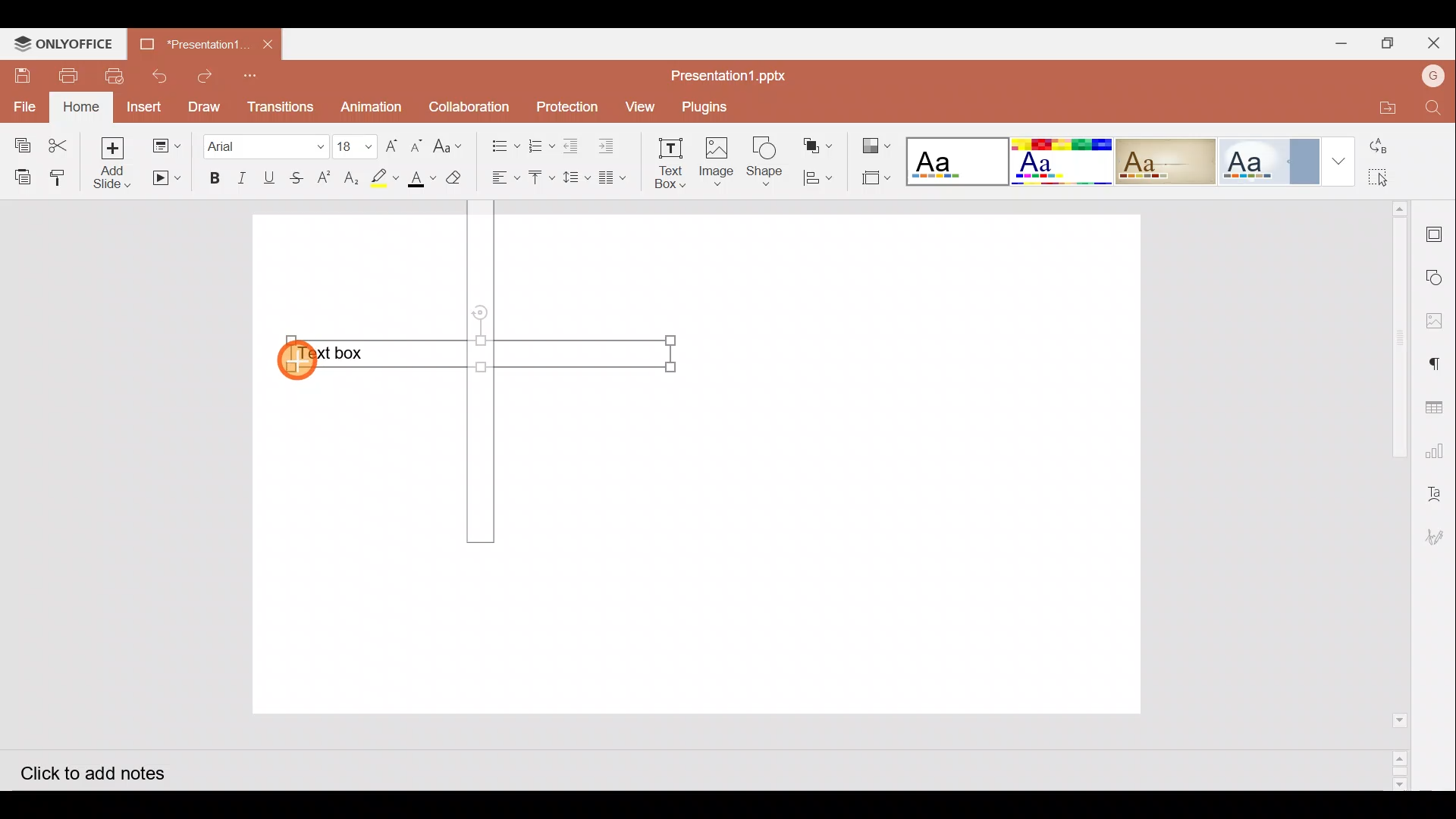  I want to click on Bold, so click(209, 179).